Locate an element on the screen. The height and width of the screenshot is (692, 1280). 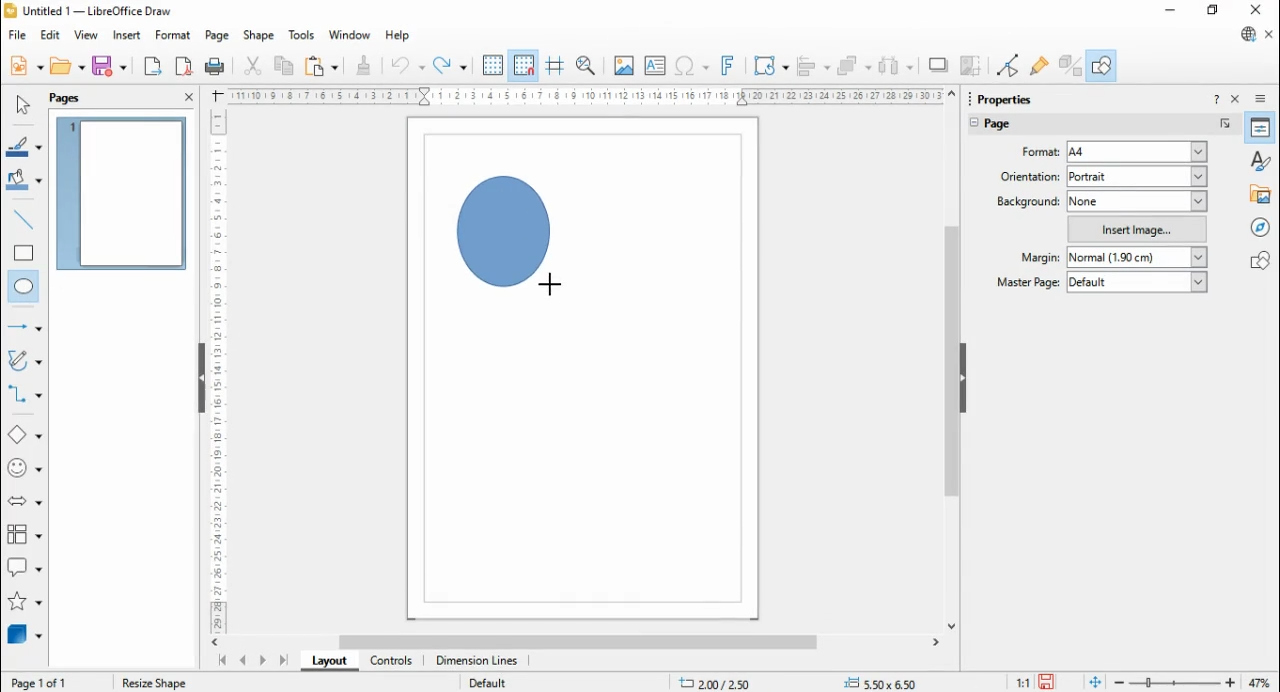
help about this sidebar deck is located at coordinates (1216, 98).